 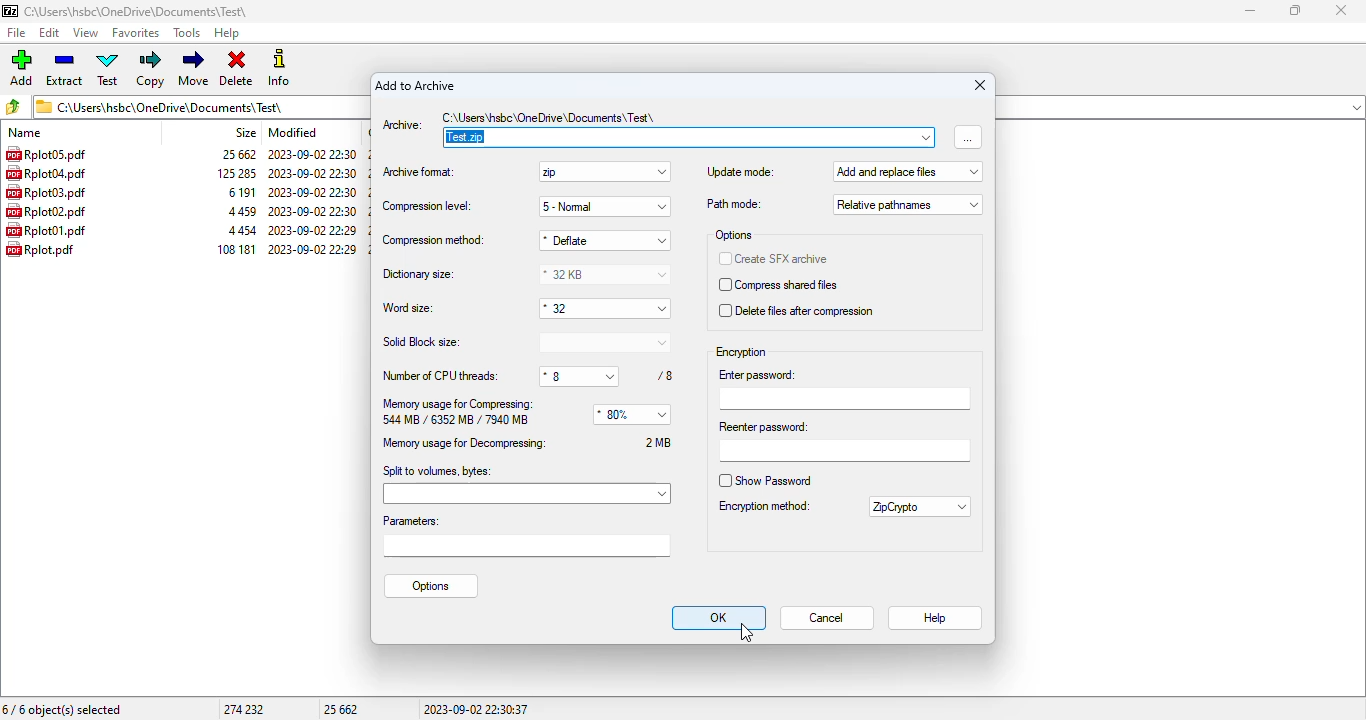 I want to click on cursor, so click(x=747, y=633).